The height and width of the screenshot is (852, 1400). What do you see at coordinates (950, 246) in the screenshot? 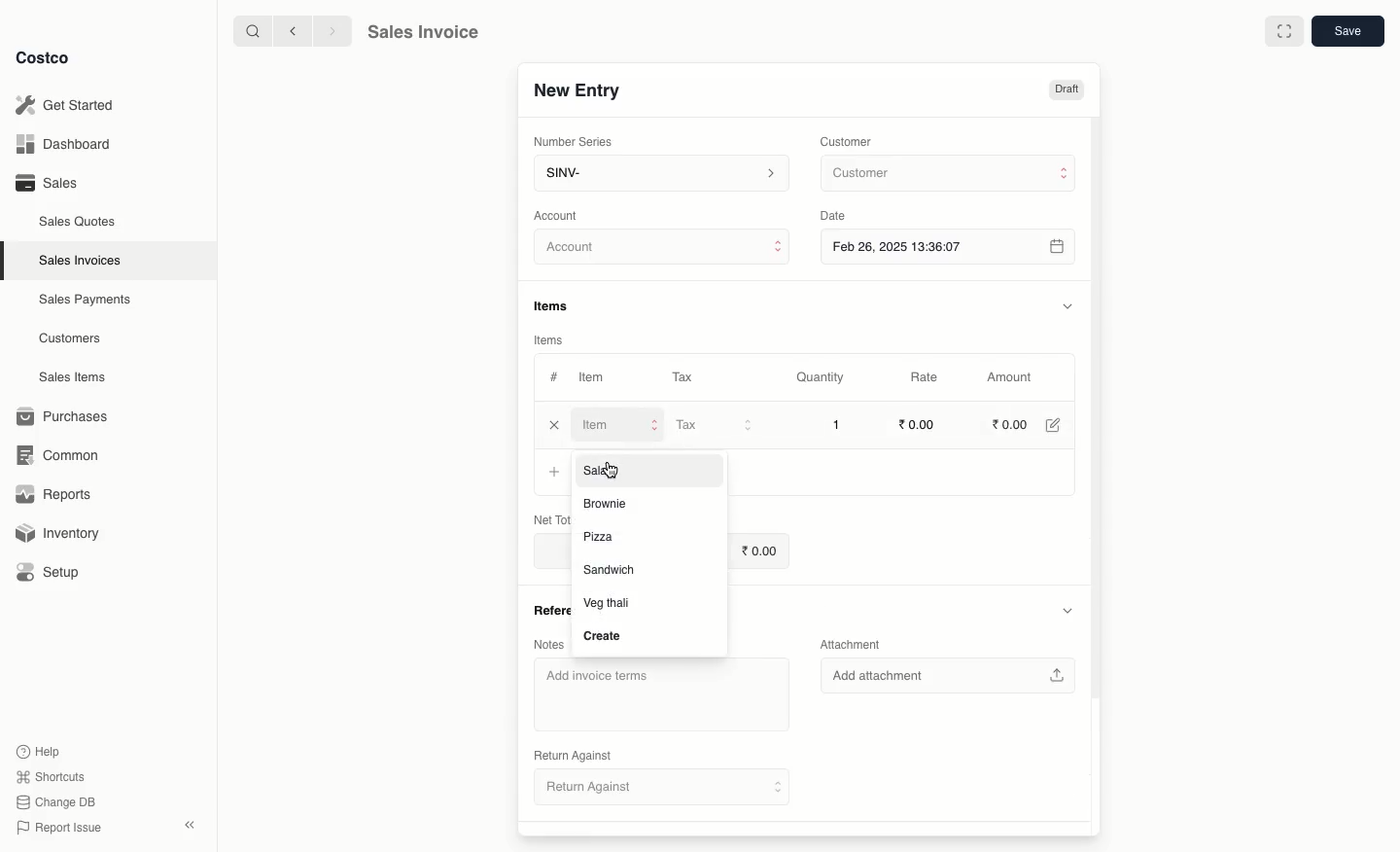
I see `Feb 26, 2025 13:36:07` at bounding box center [950, 246].